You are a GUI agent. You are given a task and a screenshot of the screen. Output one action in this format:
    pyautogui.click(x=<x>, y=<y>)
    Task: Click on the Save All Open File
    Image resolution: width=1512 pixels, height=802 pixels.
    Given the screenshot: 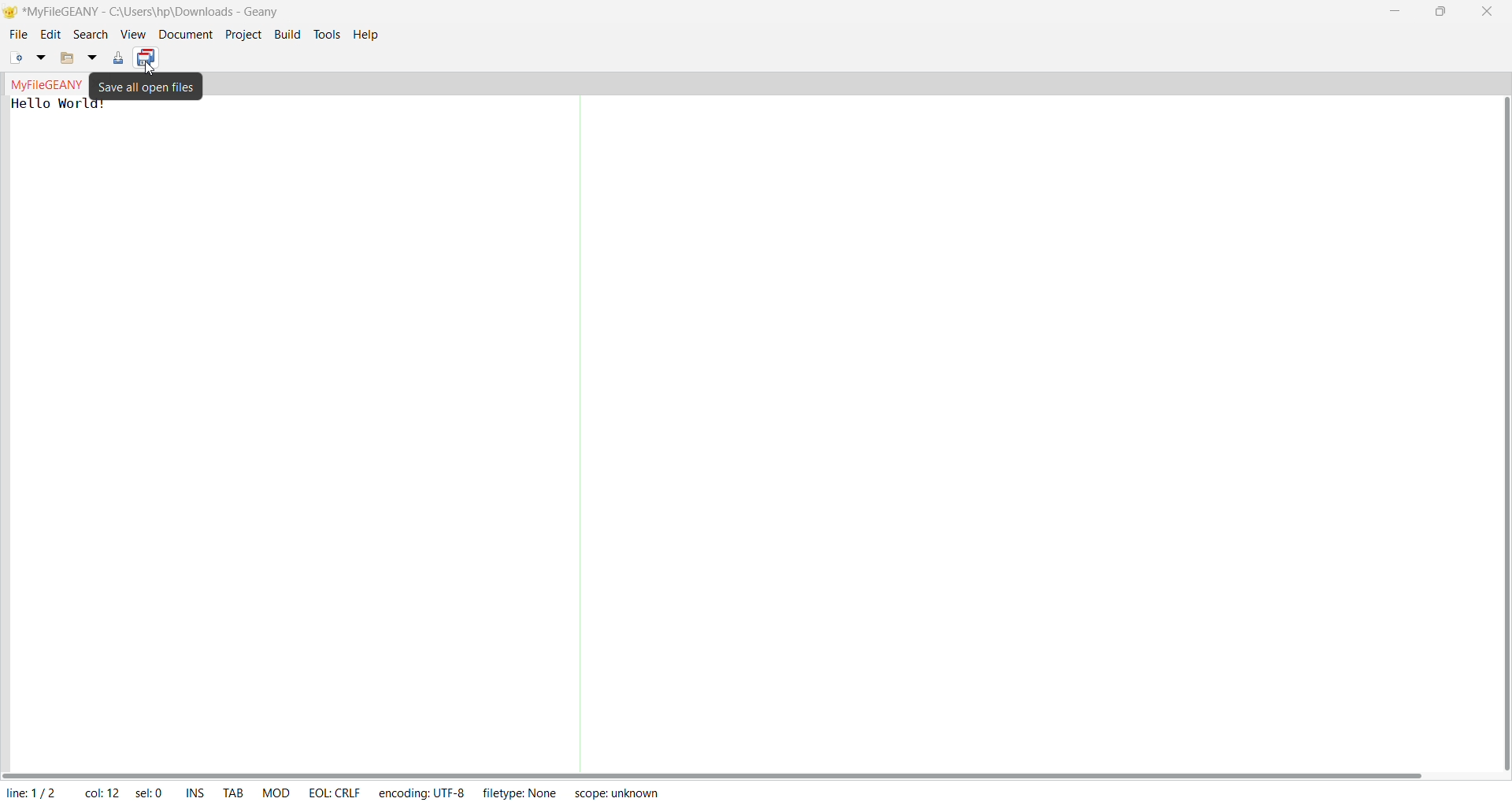 What is the action you would take?
    pyautogui.click(x=146, y=87)
    